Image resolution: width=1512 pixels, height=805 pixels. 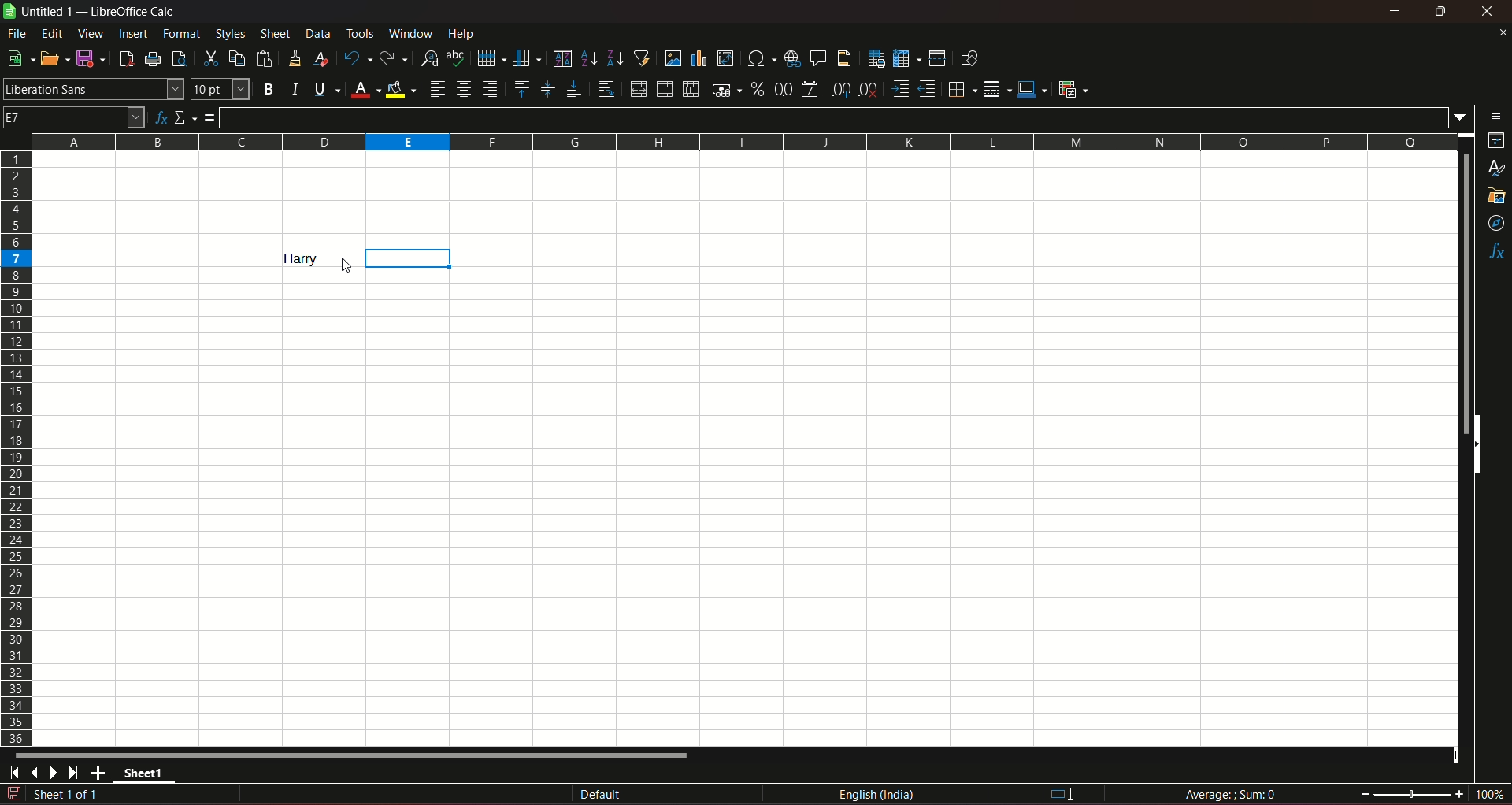 What do you see at coordinates (547, 89) in the screenshot?
I see `center vertically` at bounding box center [547, 89].